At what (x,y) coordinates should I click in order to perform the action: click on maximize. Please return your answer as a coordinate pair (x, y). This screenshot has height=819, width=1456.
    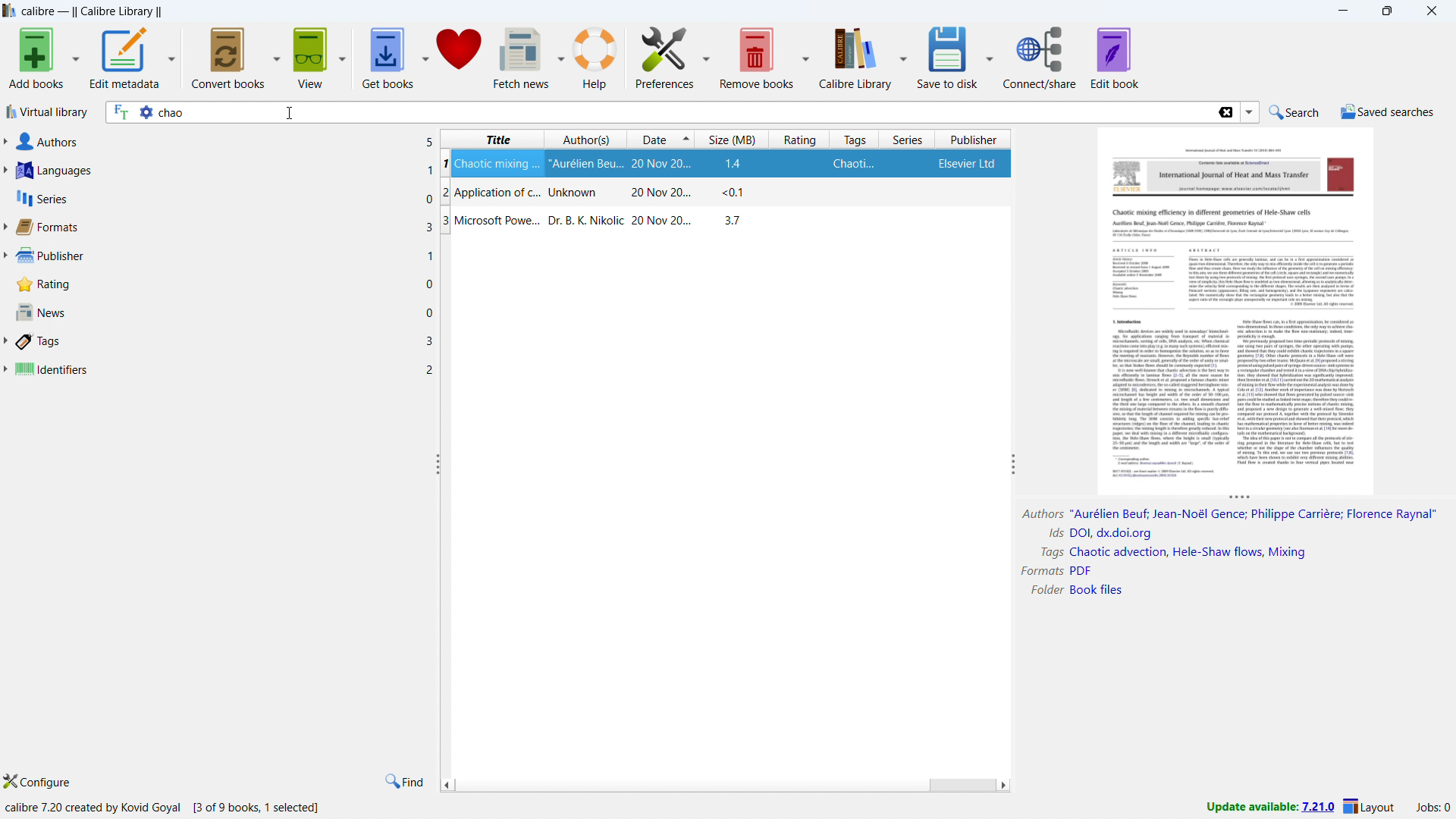
    Looking at the image, I should click on (1386, 11).